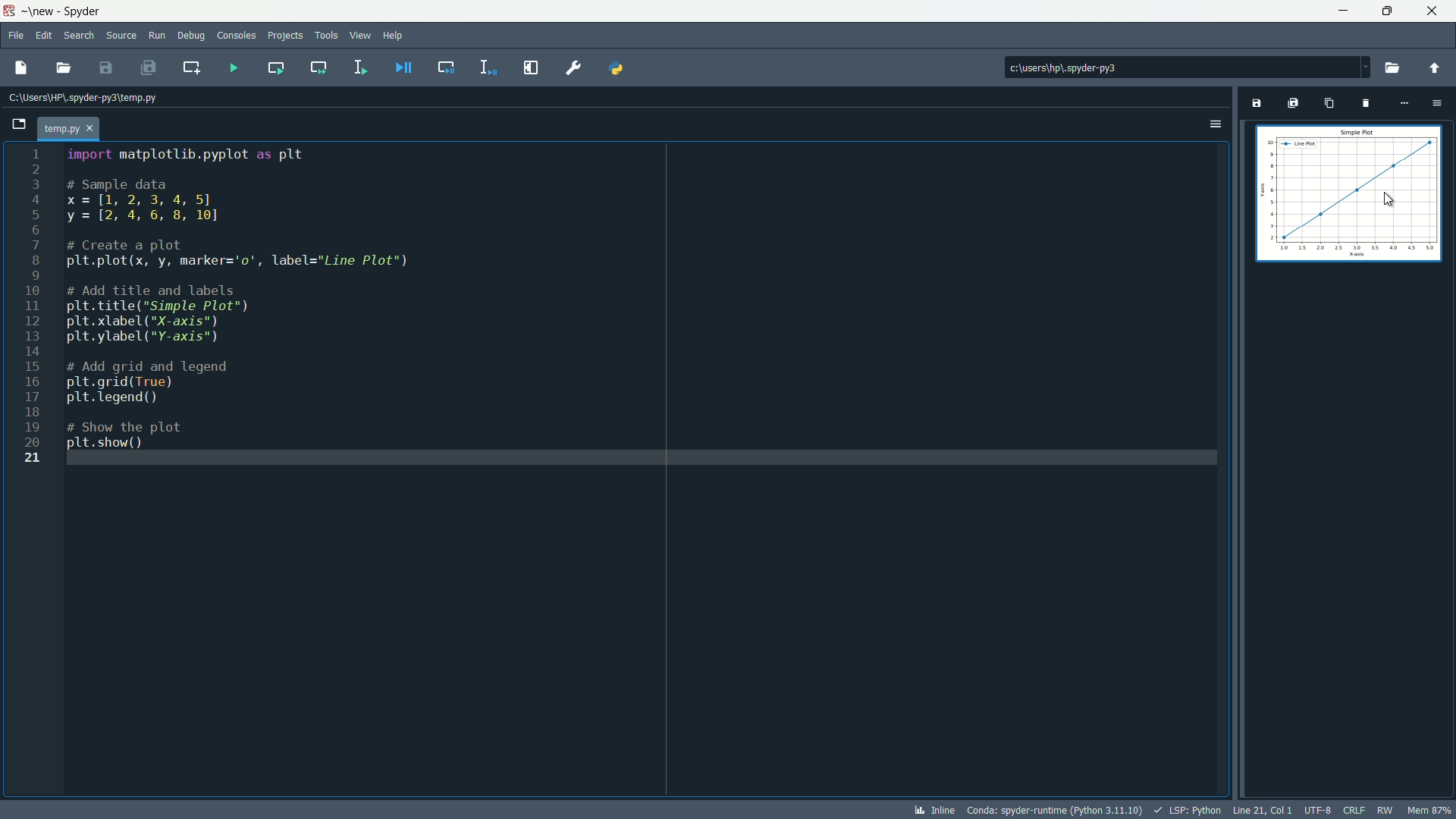 The height and width of the screenshot is (819, 1456). I want to click on run current cell, so click(271, 67).